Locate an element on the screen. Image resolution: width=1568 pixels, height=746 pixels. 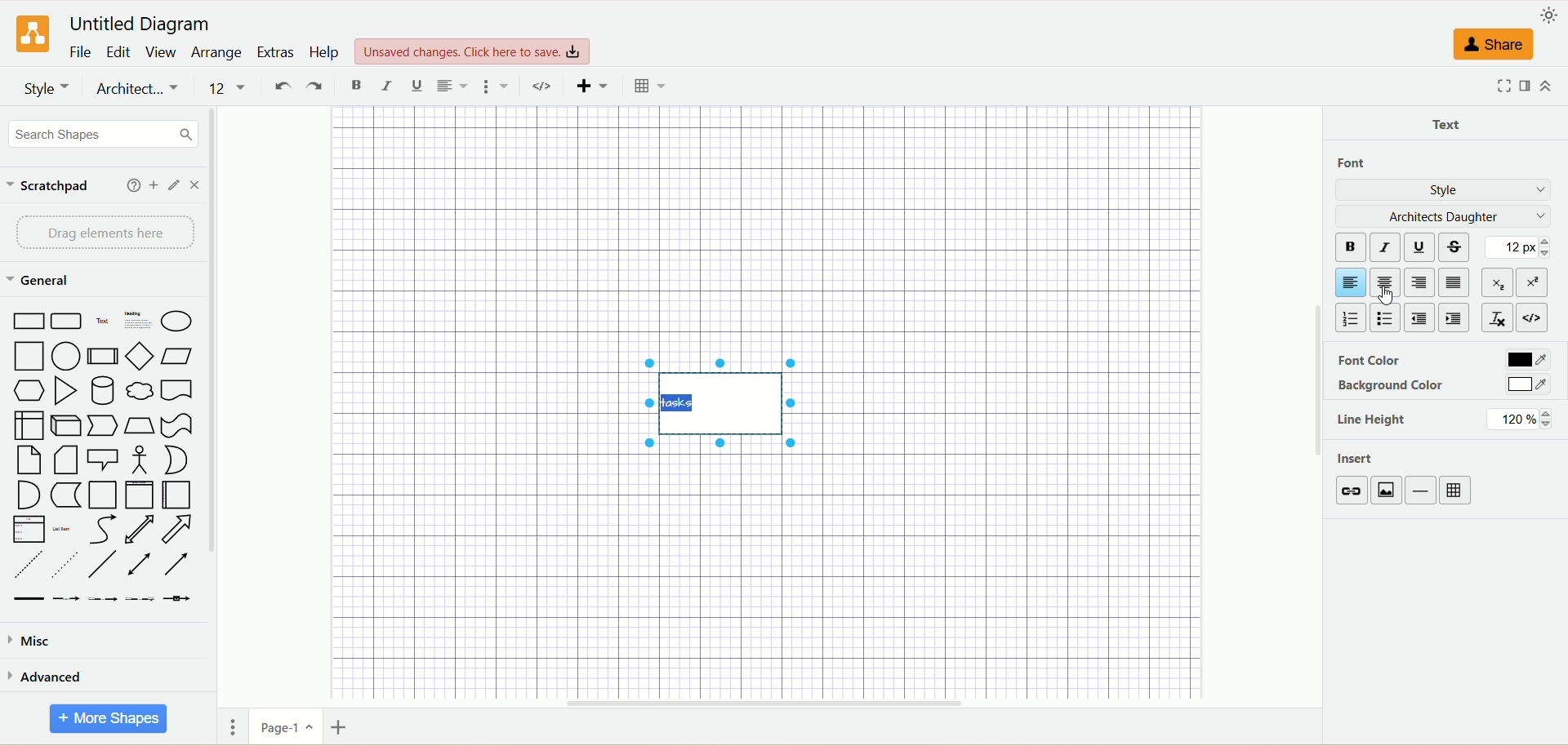
extras is located at coordinates (275, 52).